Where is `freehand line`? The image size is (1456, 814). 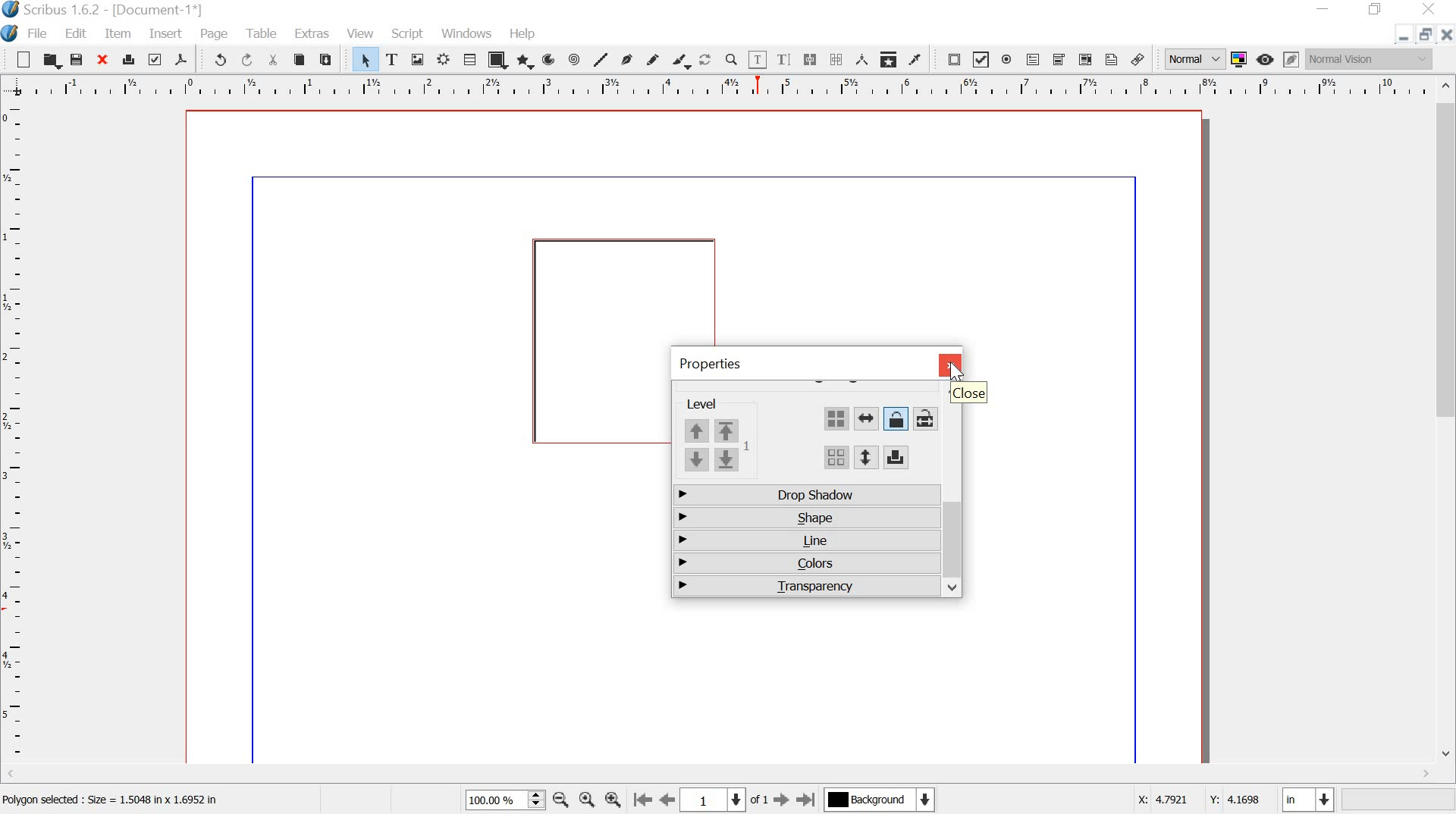 freehand line is located at coordinates (656, 61).